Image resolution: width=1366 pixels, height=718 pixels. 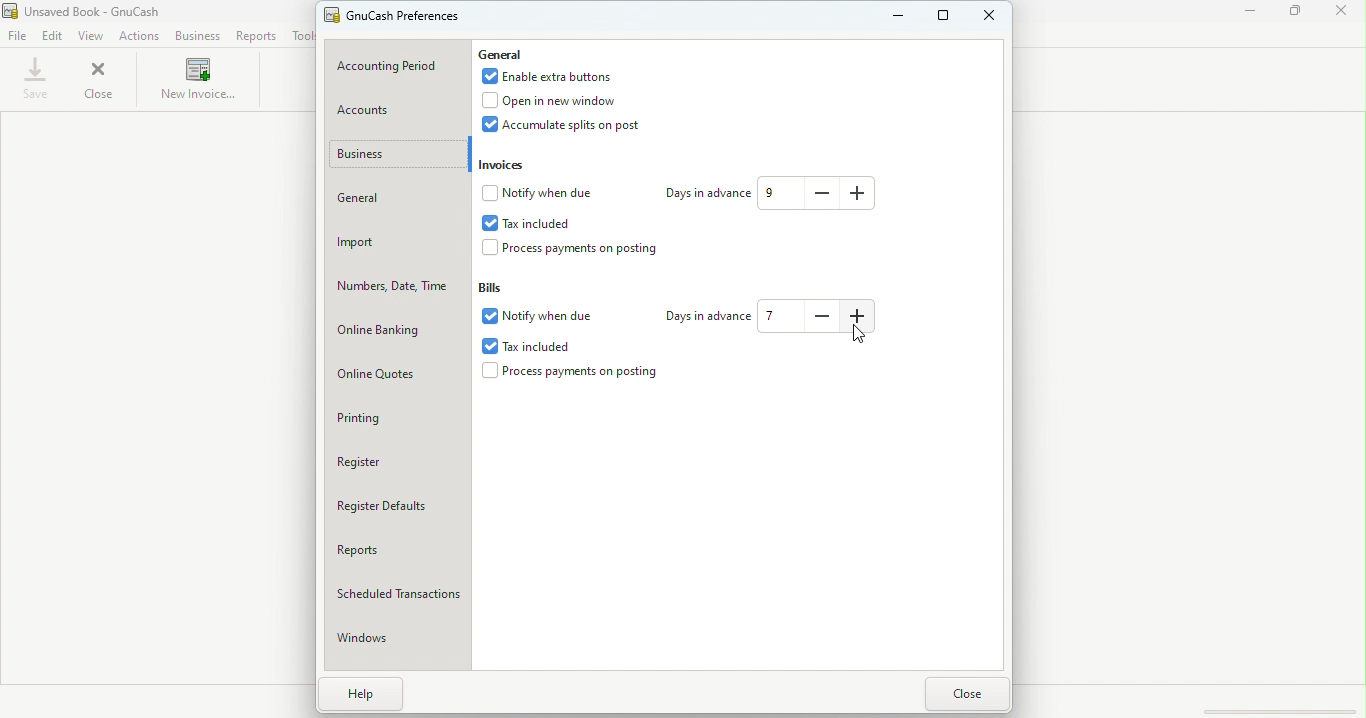 I want to click on Online banking, so click(x=394, y=328).